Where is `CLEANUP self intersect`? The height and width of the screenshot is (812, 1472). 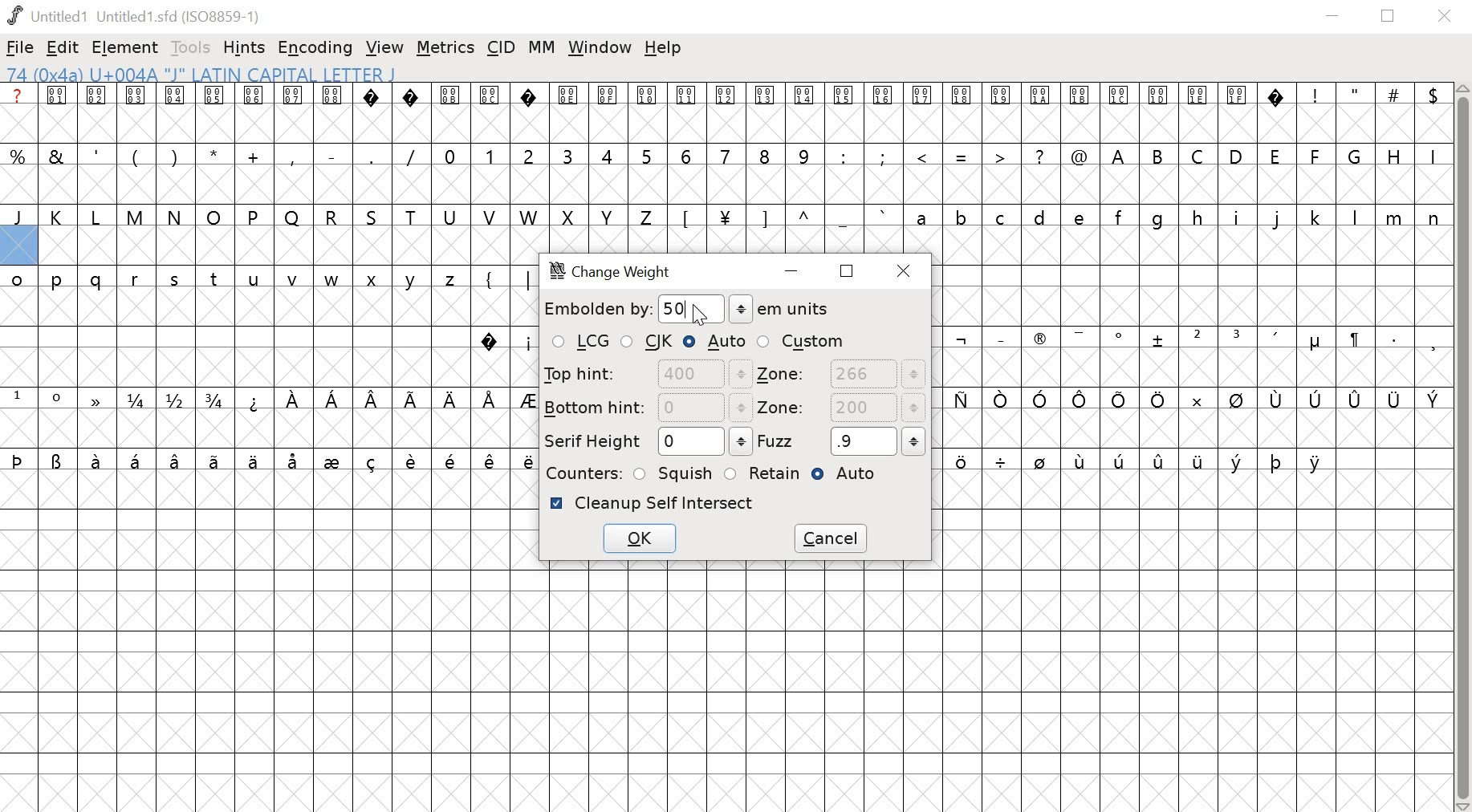
CLEANUP self intersect is located at coordinates (653, 503).